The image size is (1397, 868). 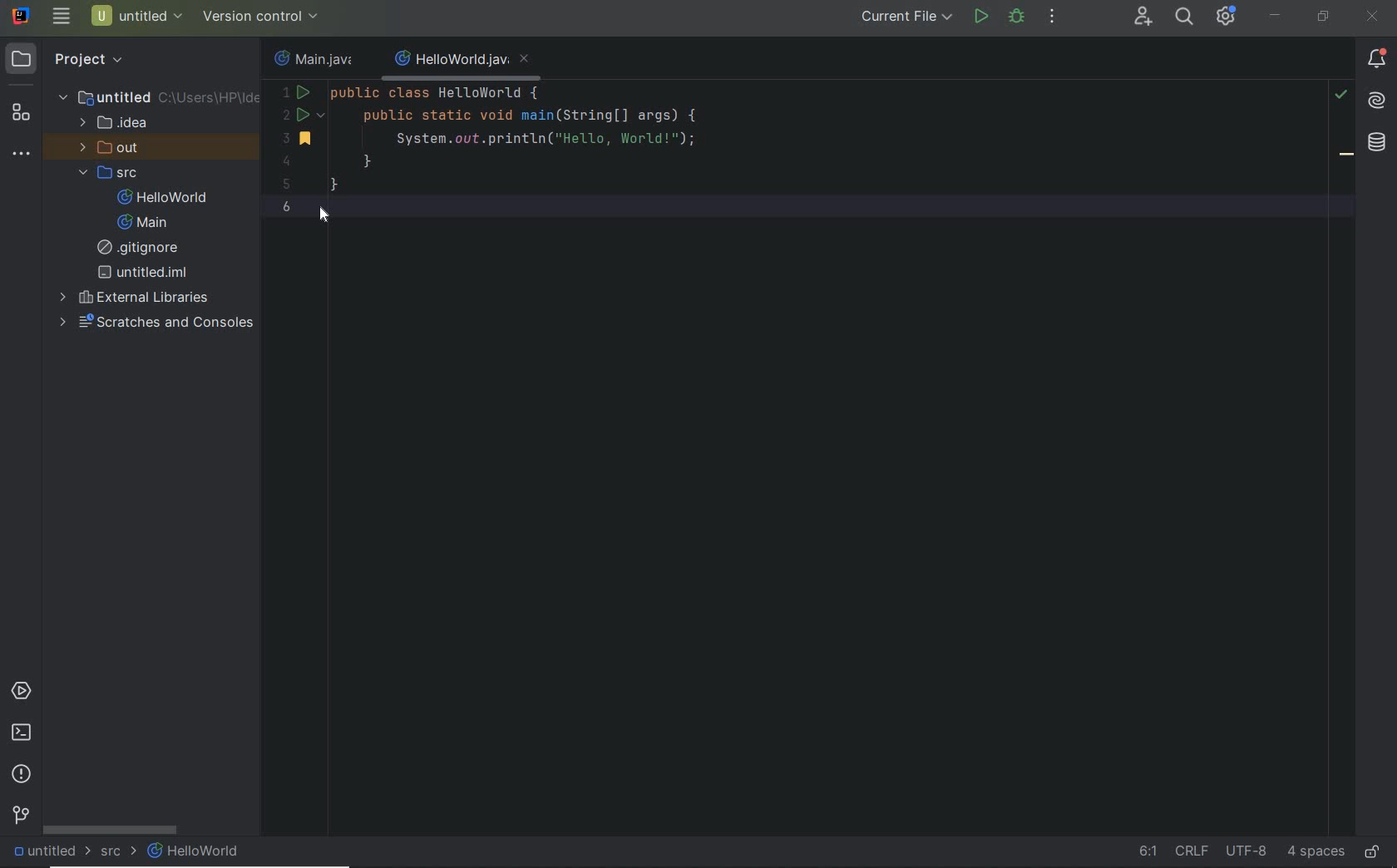 I want to click on src, so click(x=111, y=172).